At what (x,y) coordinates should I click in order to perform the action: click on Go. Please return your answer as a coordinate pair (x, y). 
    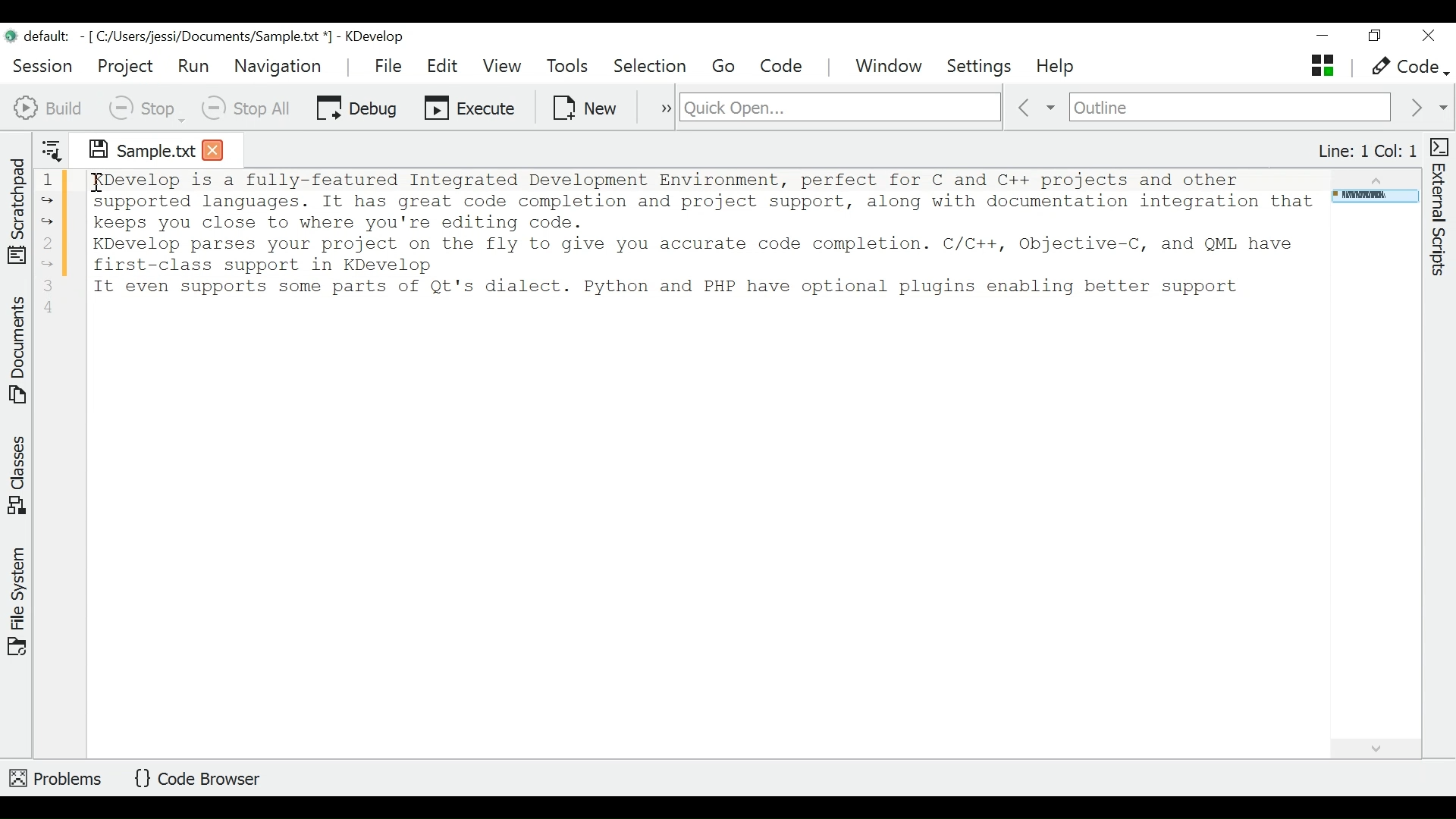
    Looking at the image, I should click on (726, 67).